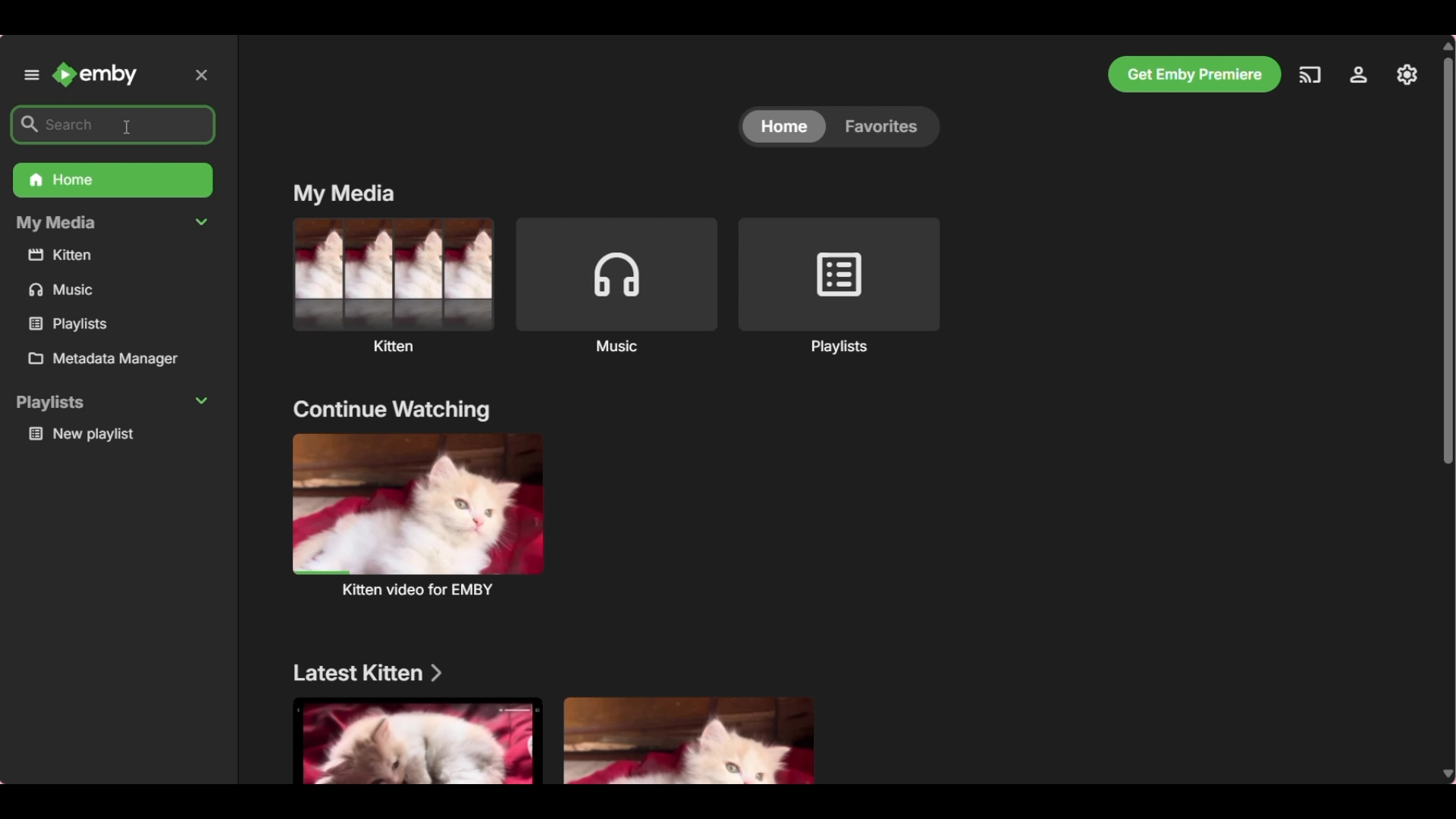 This screenshot has width=1456, height=819. Describe the element at coordinates (390, 284) in the screenshot. I see `Kitten` at that location.